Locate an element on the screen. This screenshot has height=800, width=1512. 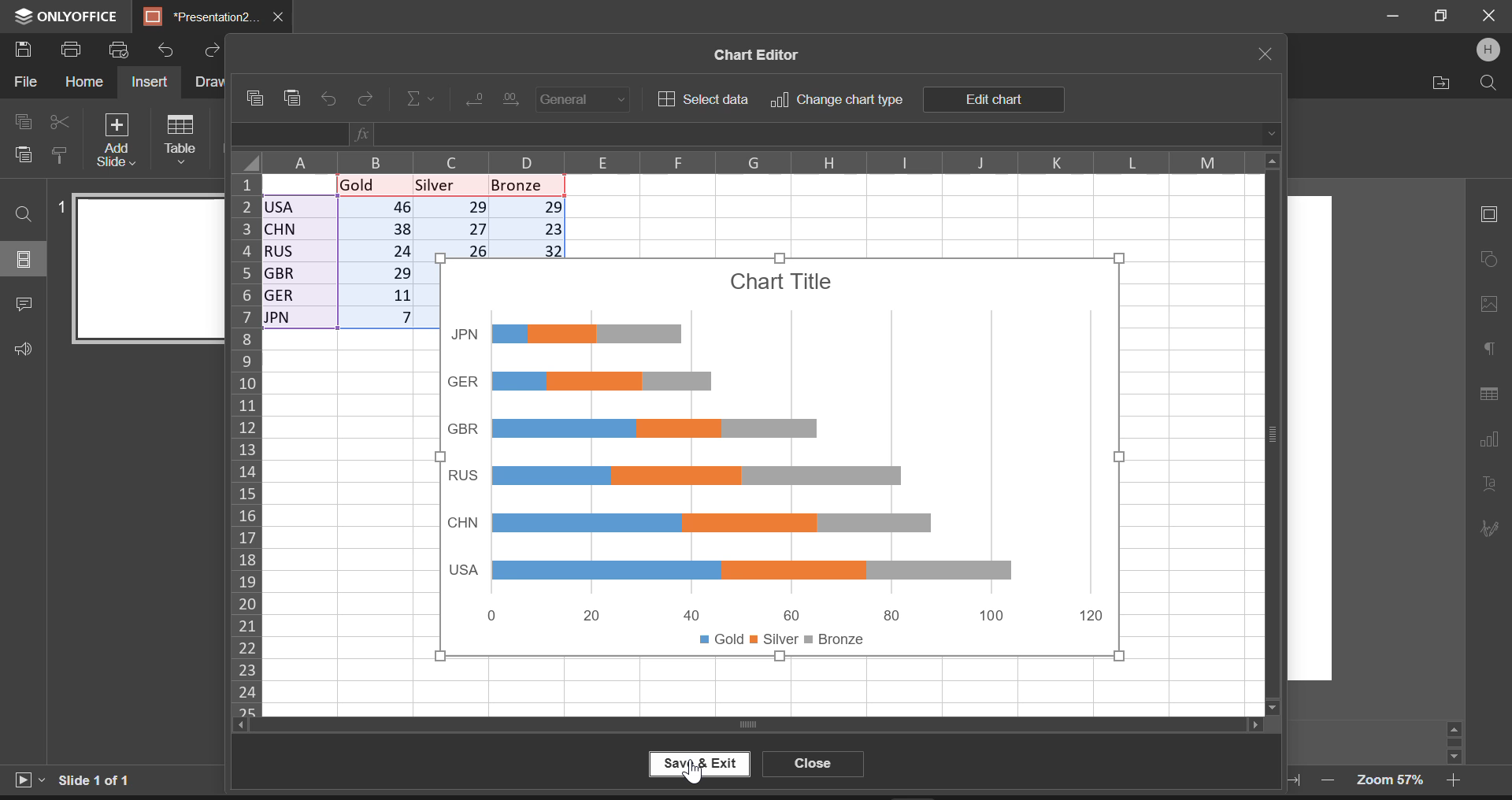
Redo is located at coordinates (365, 98).